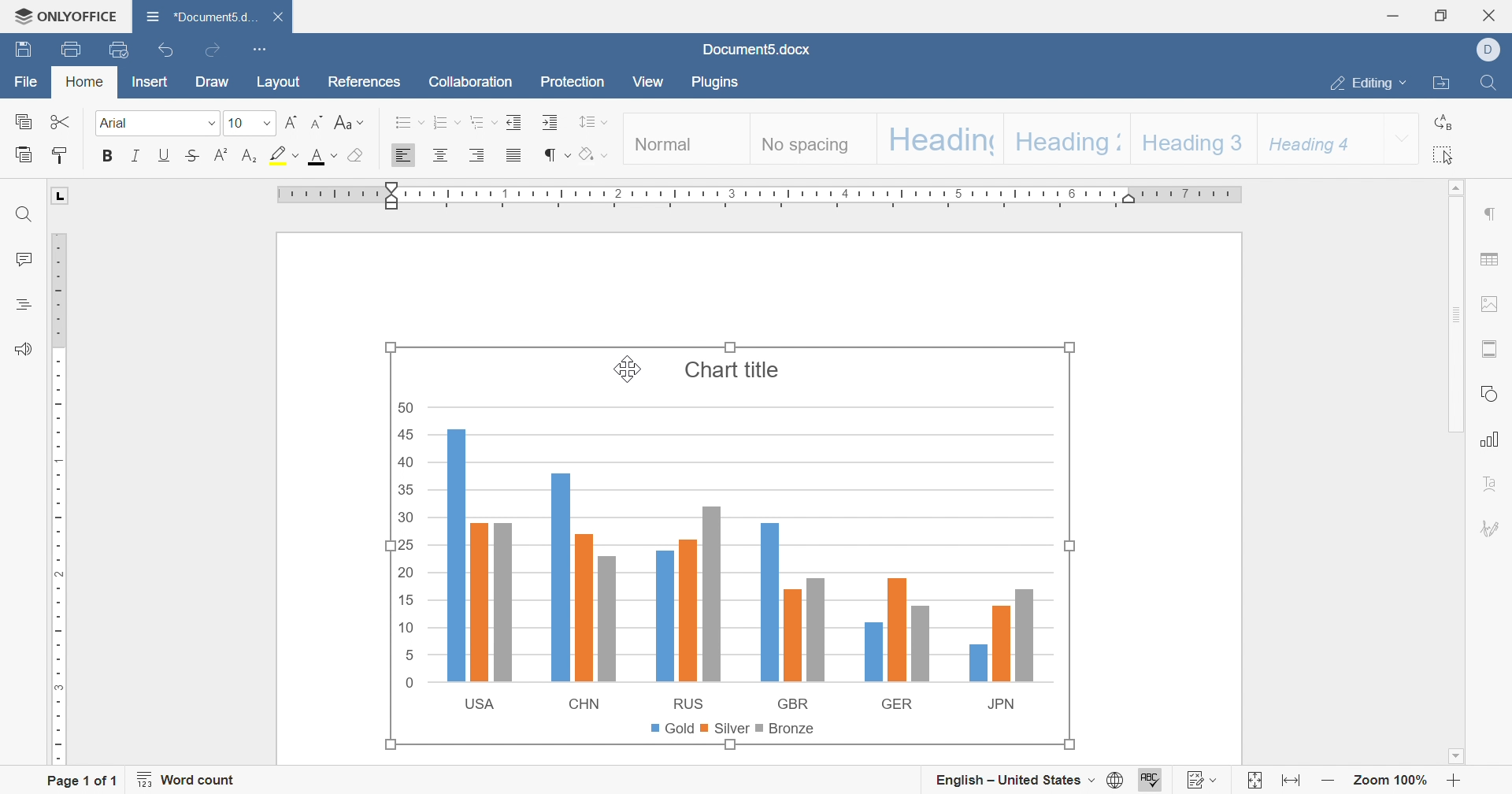 The height and width of the screenshot is (794, 1512). Describe the element at coordinates (24, 258) in the screenshot. I see `comments` at that location.